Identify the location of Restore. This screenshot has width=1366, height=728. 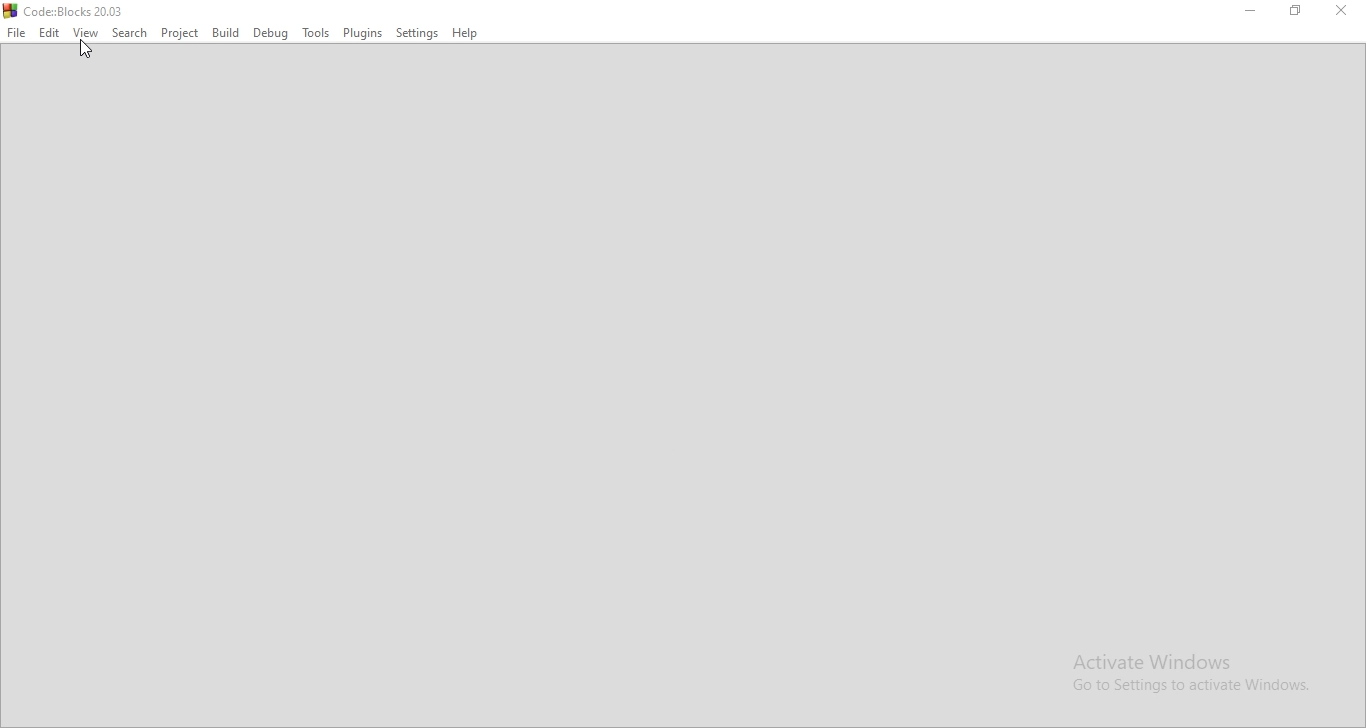
(1298, 13).